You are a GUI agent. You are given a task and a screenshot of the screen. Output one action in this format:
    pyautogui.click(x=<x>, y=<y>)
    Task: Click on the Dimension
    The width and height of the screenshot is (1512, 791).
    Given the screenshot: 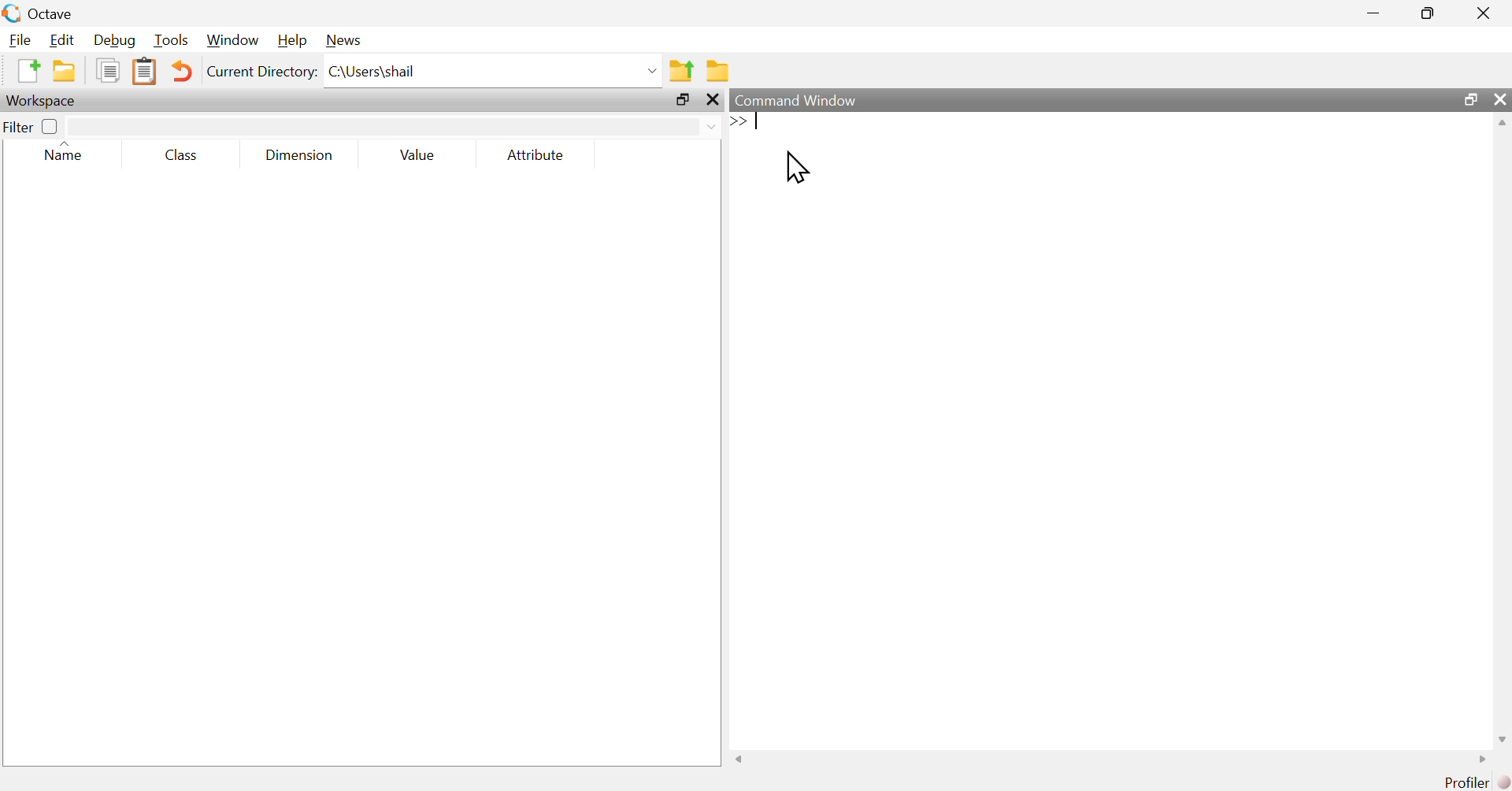 What is the action you would take?
    pyautogui.click(x=299, y=155)
    